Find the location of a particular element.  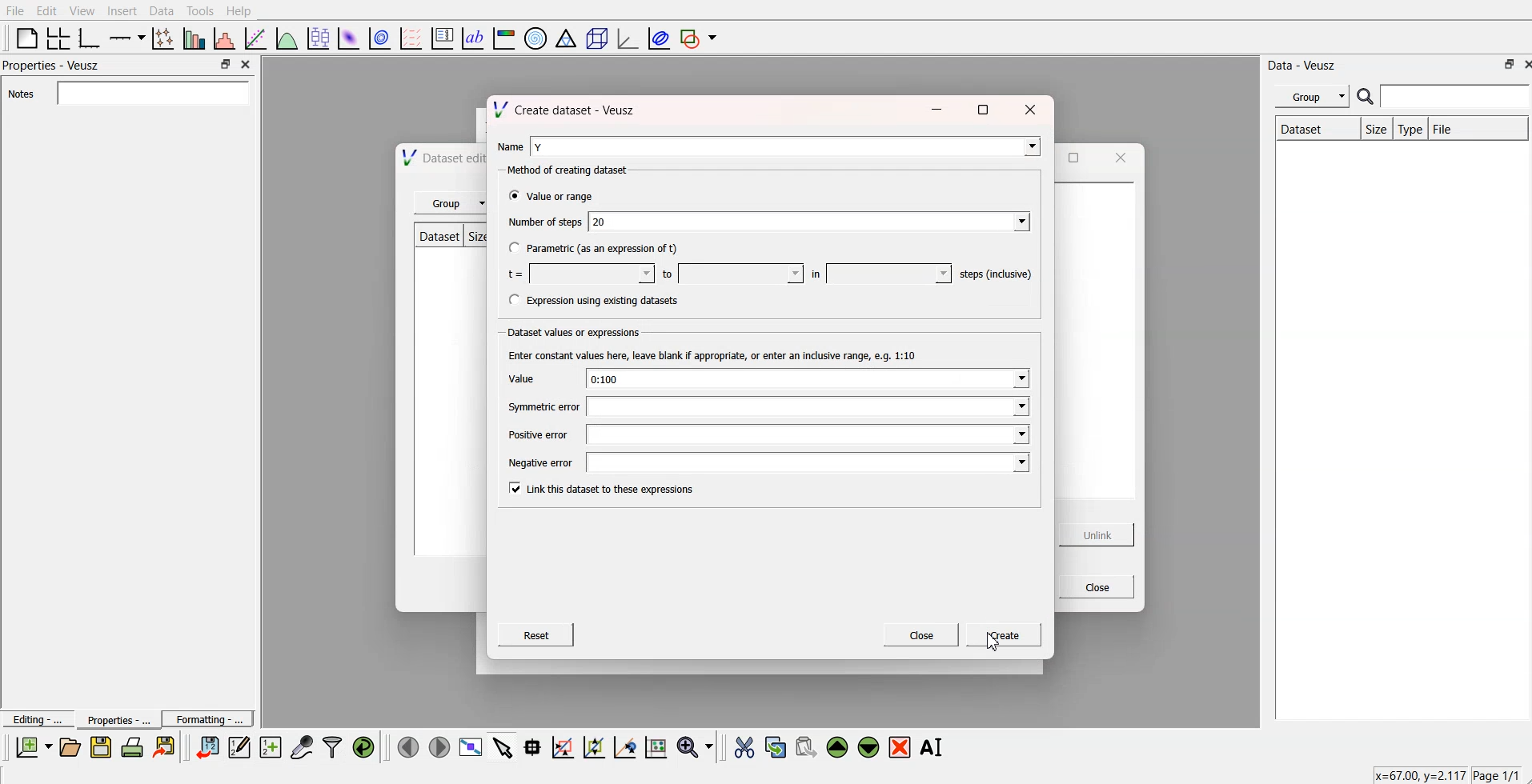

Min/Max is located at coordinates (1507, 64).